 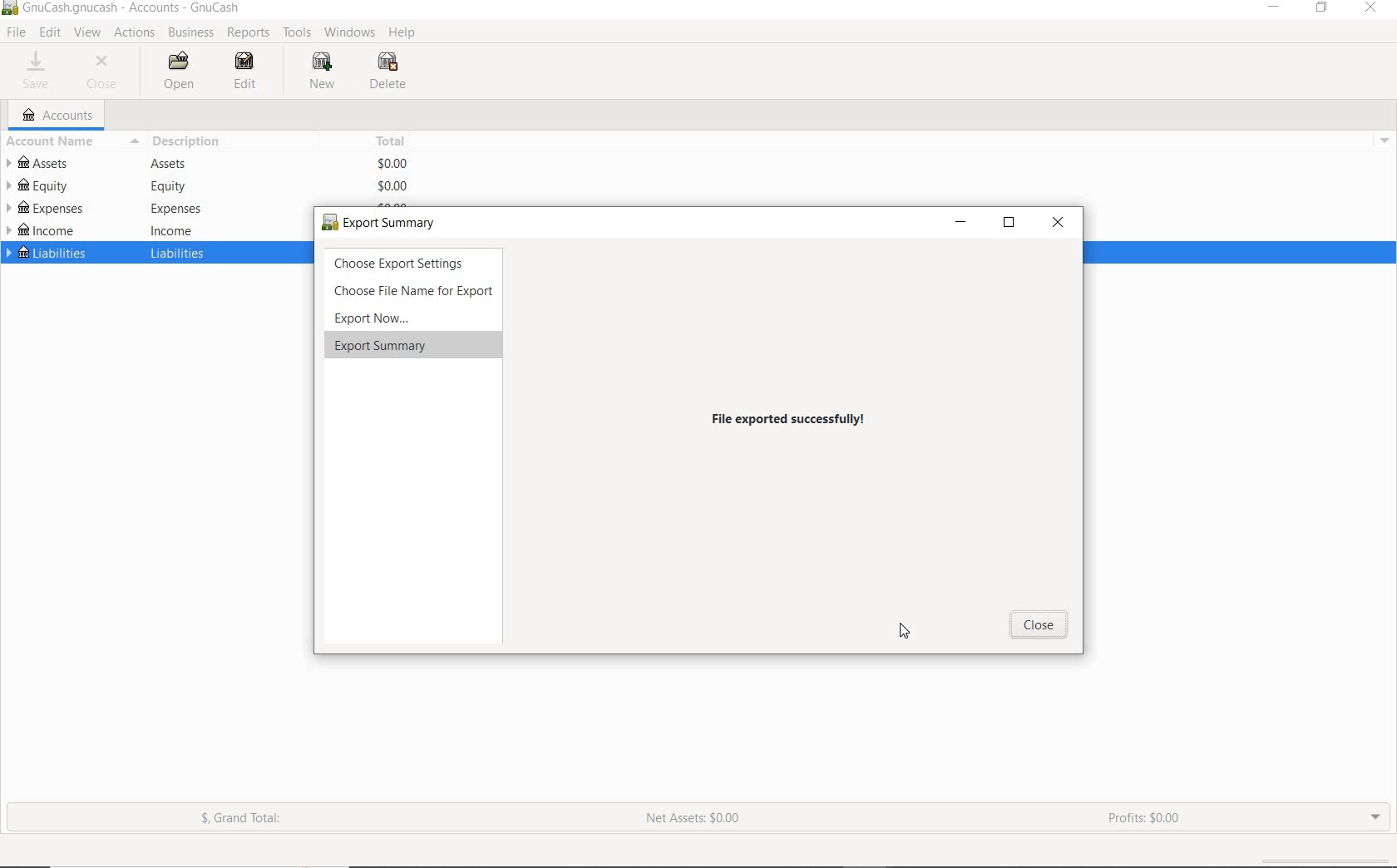 What do you see at coordinates (381, 348) in the screenshot?
I see `export summary` at bounding box center [381, 348].